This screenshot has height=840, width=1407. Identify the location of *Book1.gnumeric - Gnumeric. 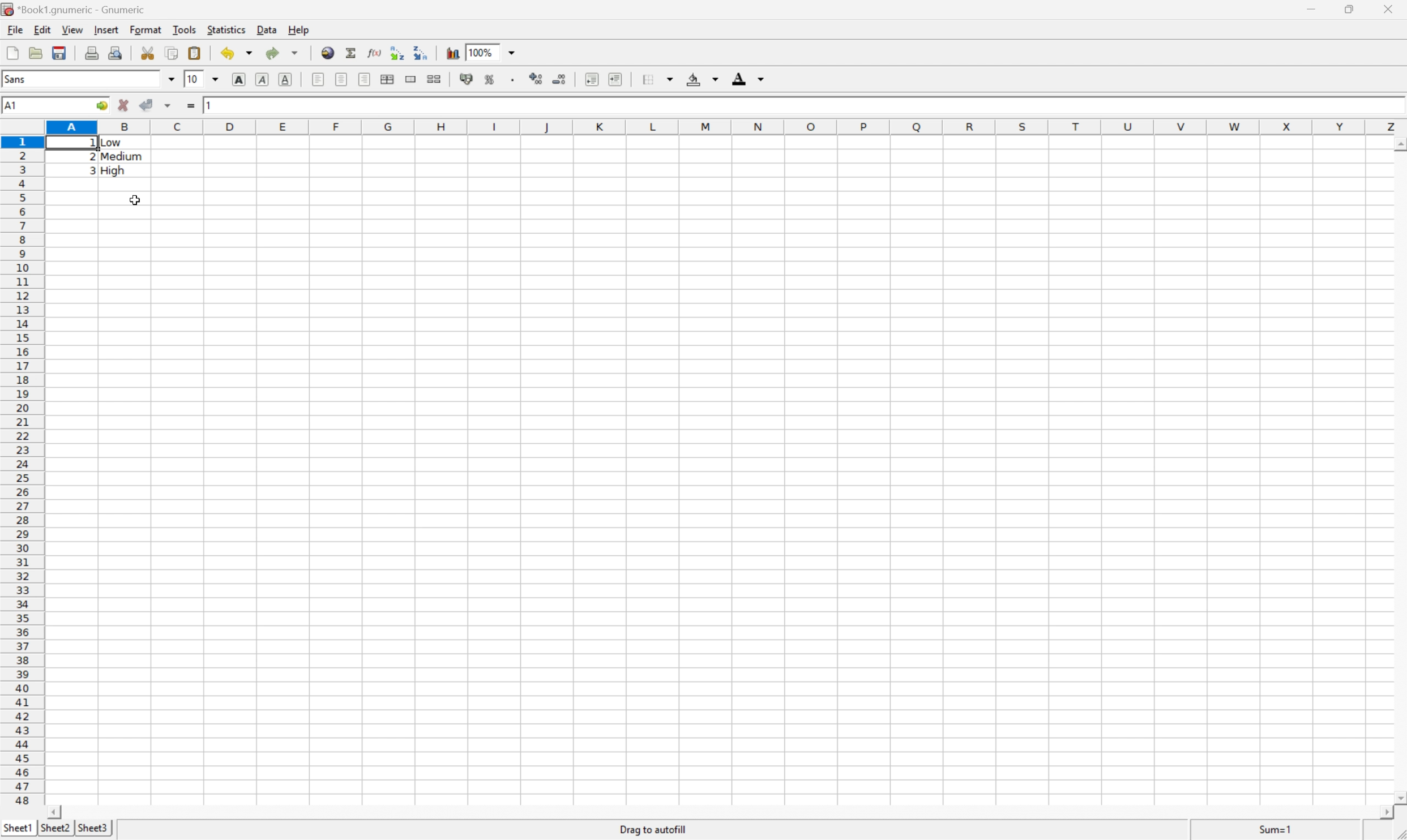
(76, 10).